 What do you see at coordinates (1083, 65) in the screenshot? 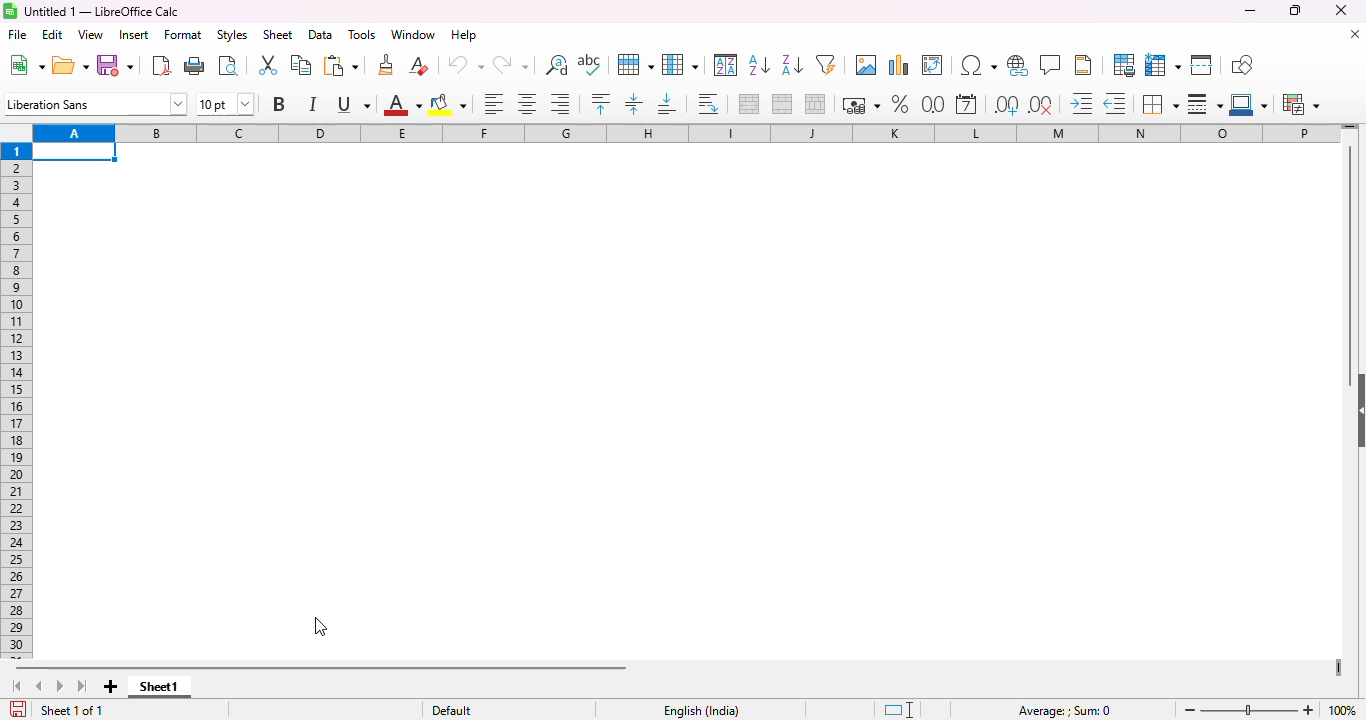
I see `headers and footers` at bounding box center [1083, 65].